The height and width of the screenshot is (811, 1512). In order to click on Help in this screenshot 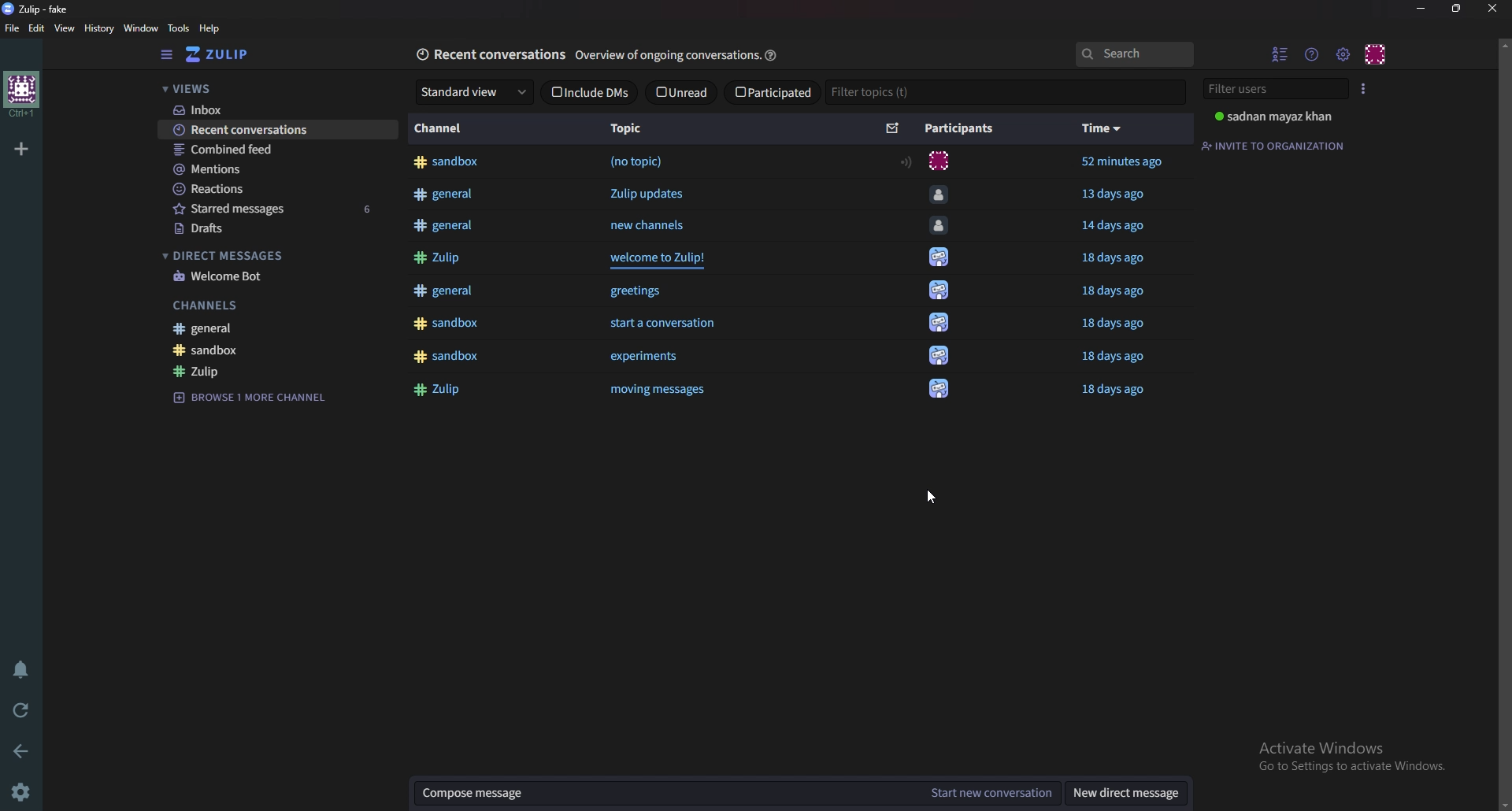, I will do `click(213, 28)`.